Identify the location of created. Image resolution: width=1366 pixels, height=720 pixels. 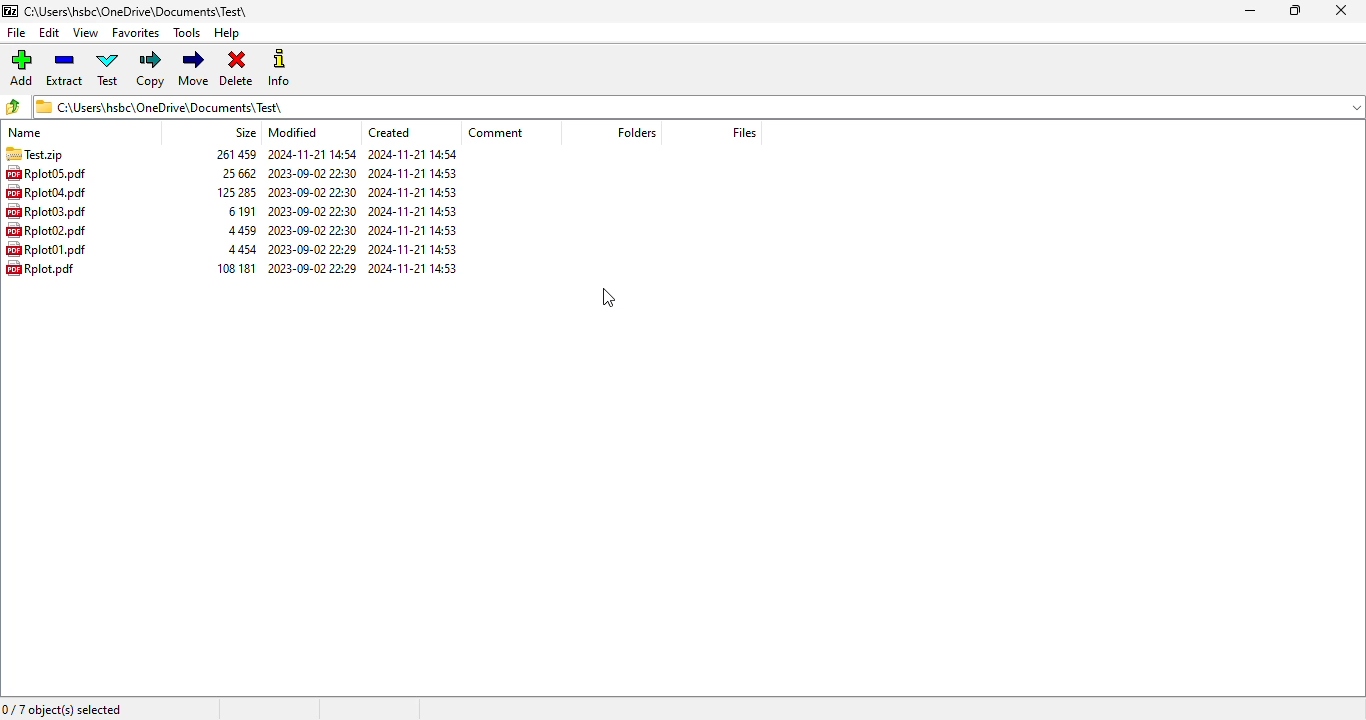
(389, 133).